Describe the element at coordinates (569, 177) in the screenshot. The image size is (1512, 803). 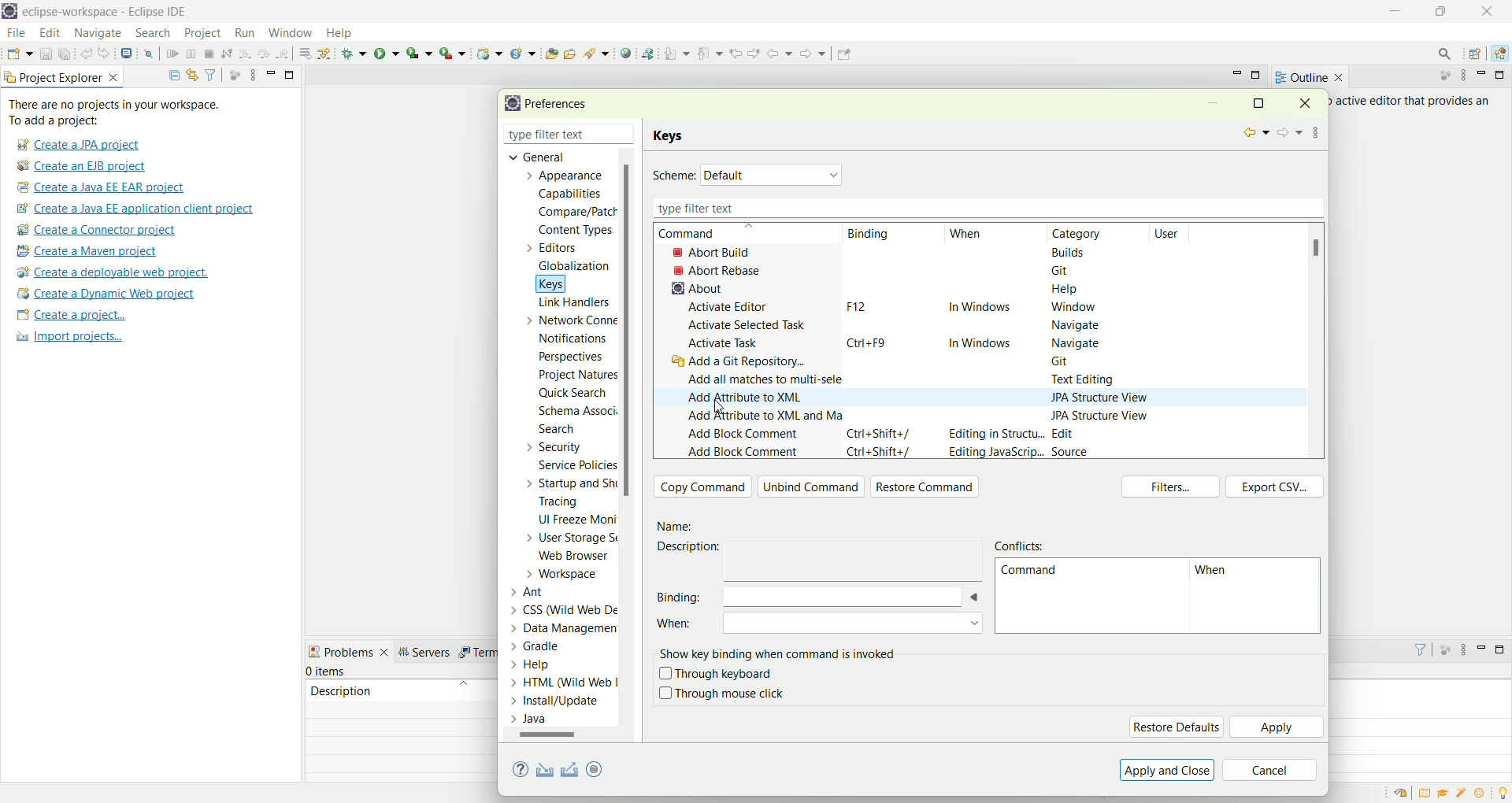
I see `appearance` at that location.